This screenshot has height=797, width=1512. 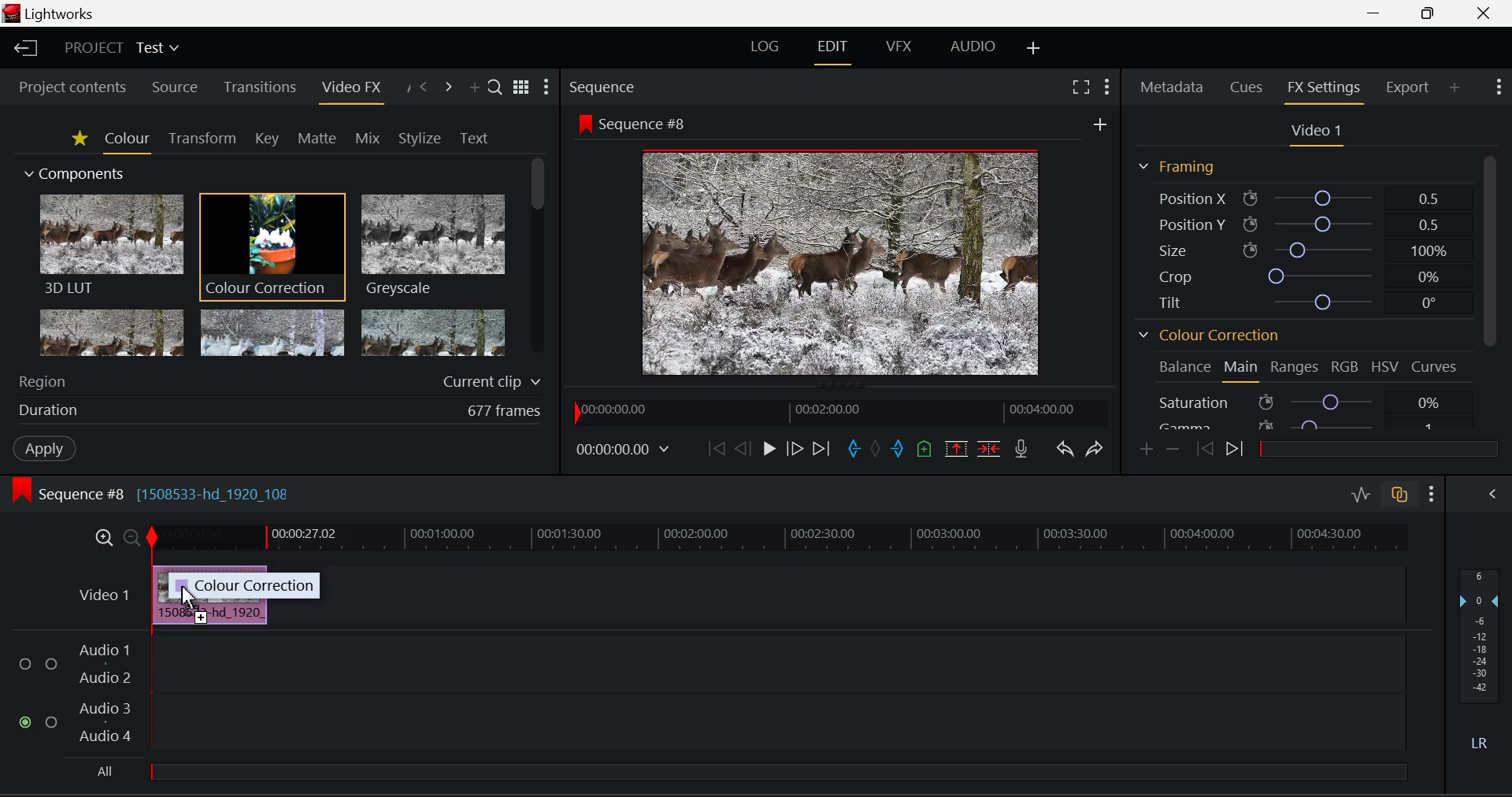 I want to click on Timeline Zoom Out, so click(x=132, y=539).